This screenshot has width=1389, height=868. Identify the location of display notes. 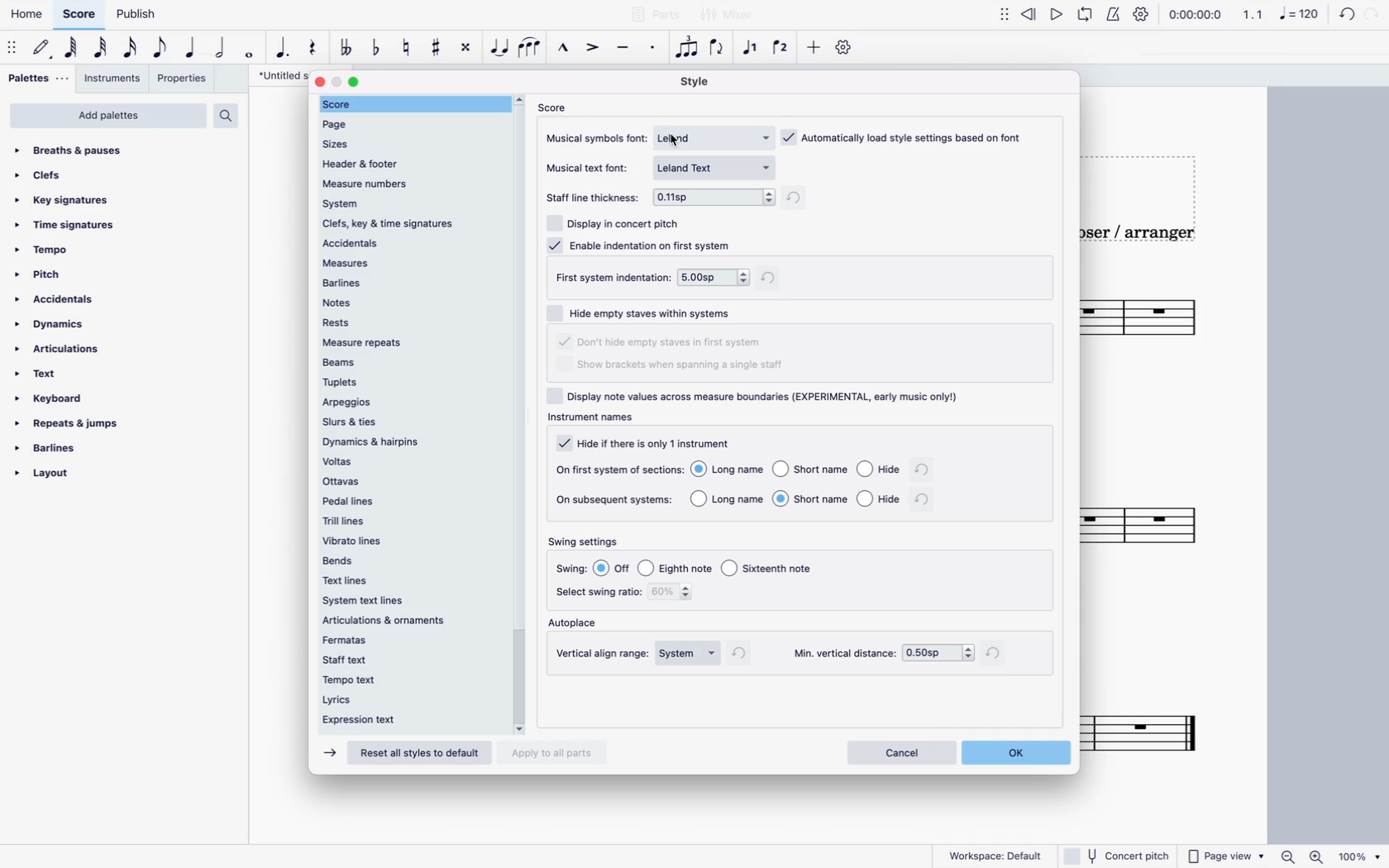
(761, 396).